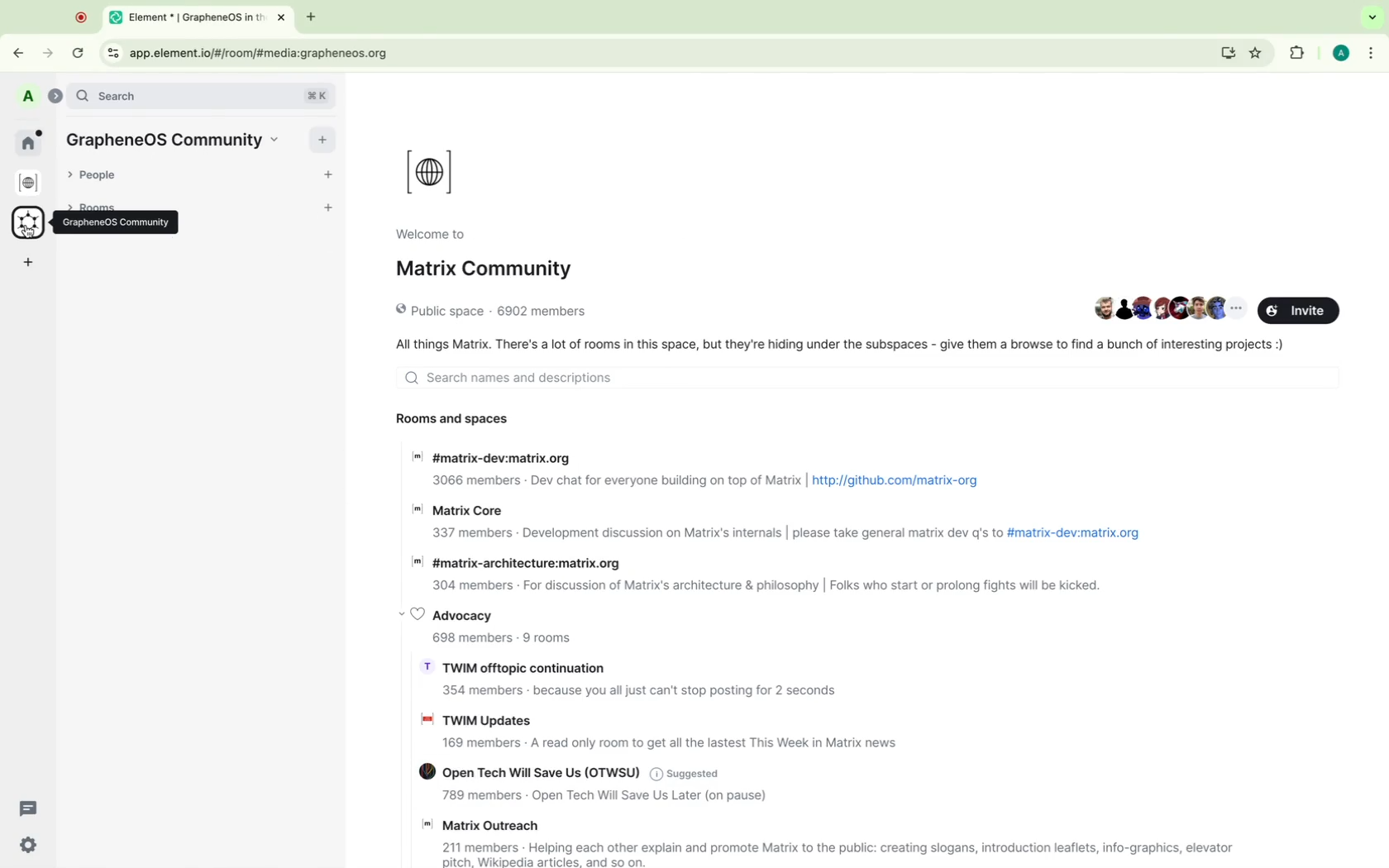 Image resolution: width=1389 pixels, height=868 pixels. What do you see at coordinates (1299, 309) in the screenshot?
I see `invite` at bounding box center [1299, 309].